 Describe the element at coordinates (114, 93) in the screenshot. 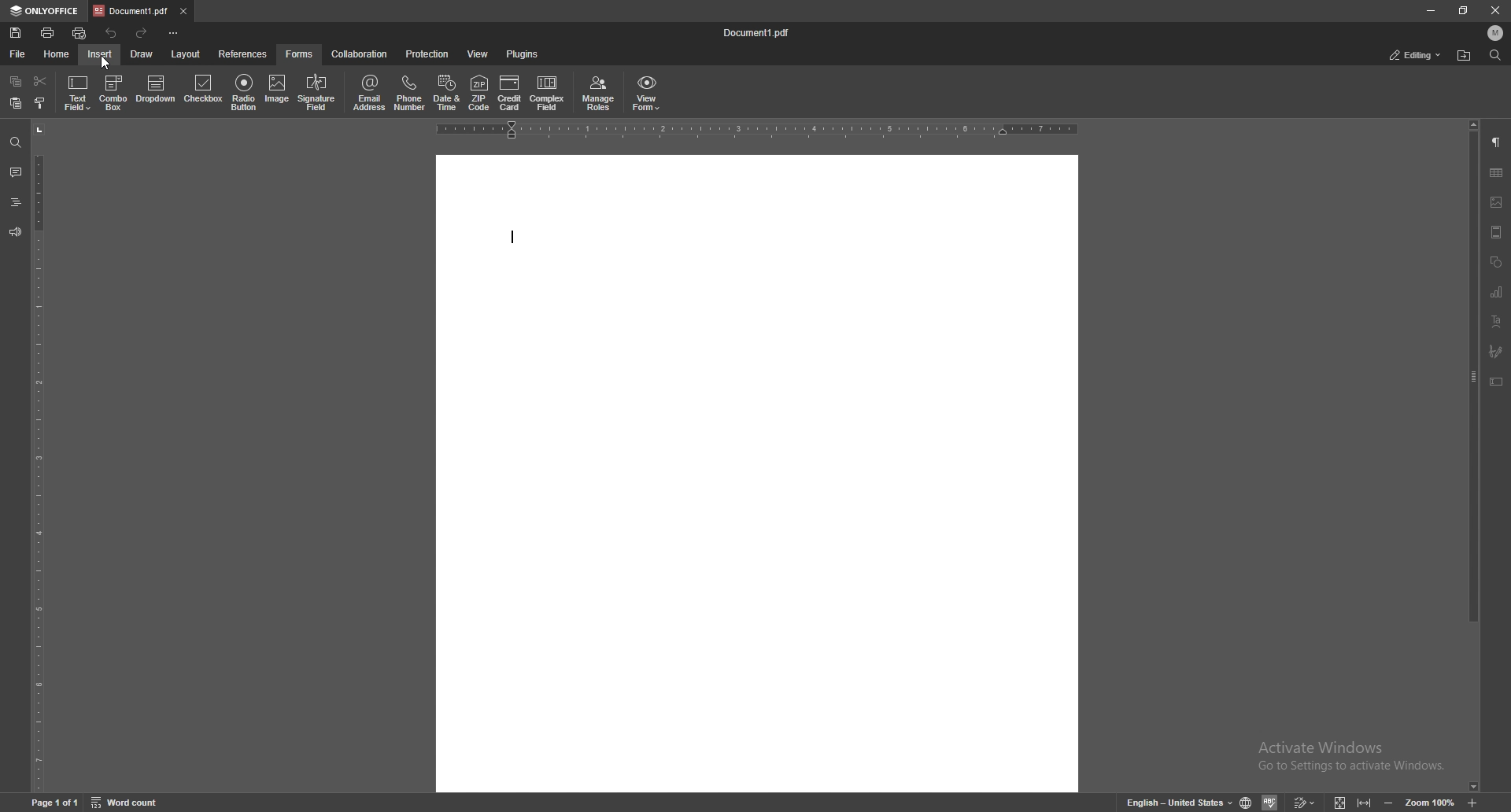

I see `combo box` at that location.